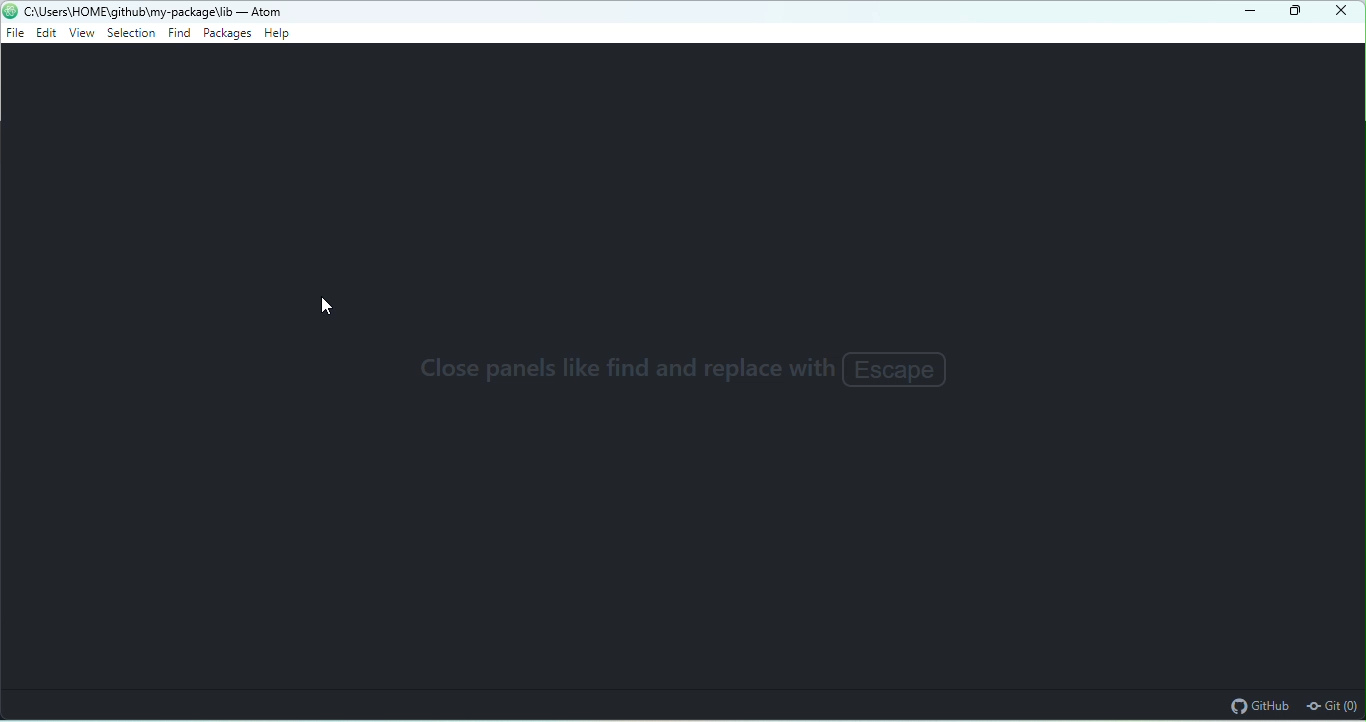 This screenshot has width=1366, height=722. What do you see at coordinates (132, 33) in the screenshot?
I see `selection` at bounding box center [132, 33].